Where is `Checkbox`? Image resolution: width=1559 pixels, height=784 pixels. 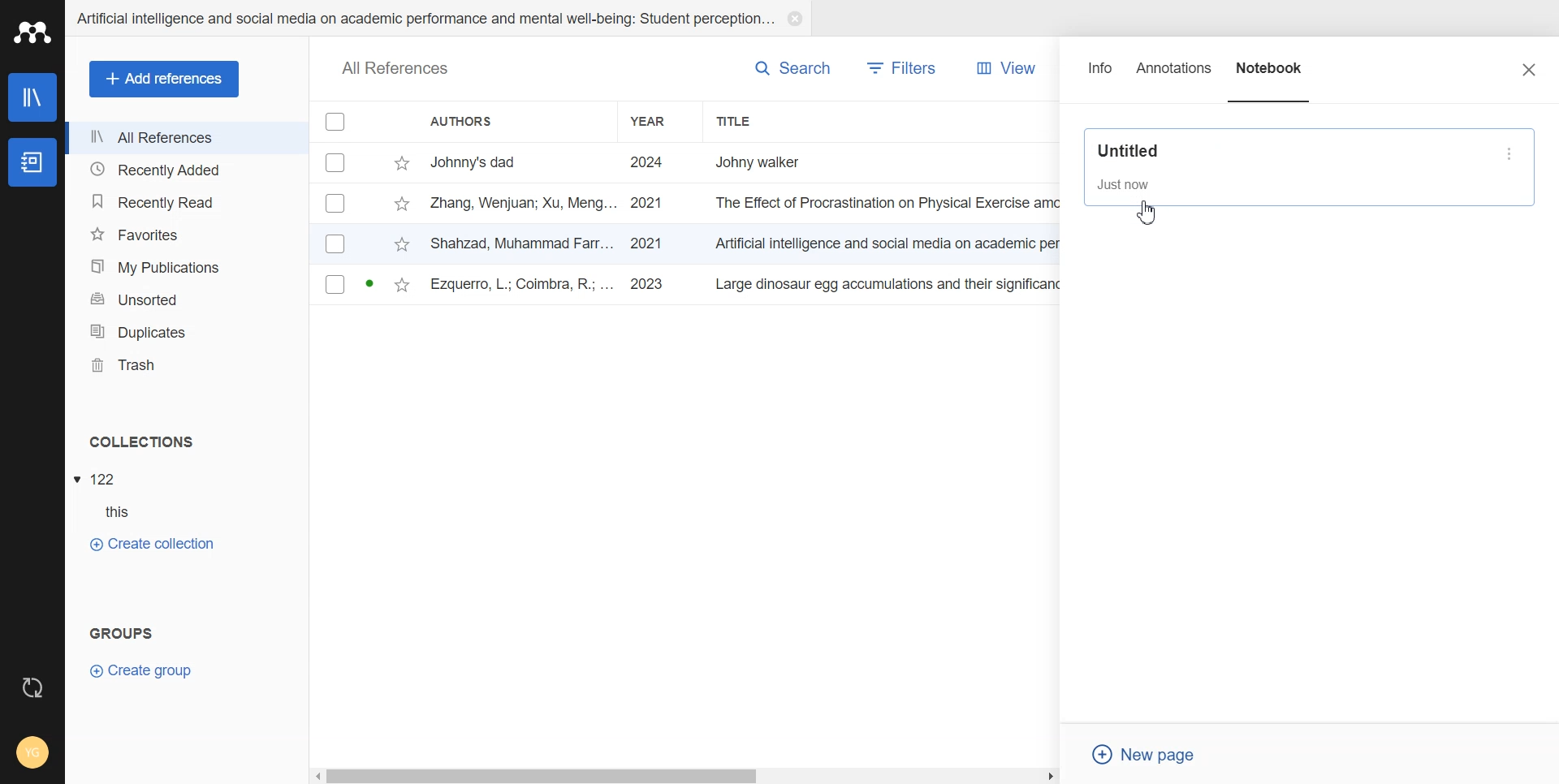
Checkbox is located at coordinates (335, 284).